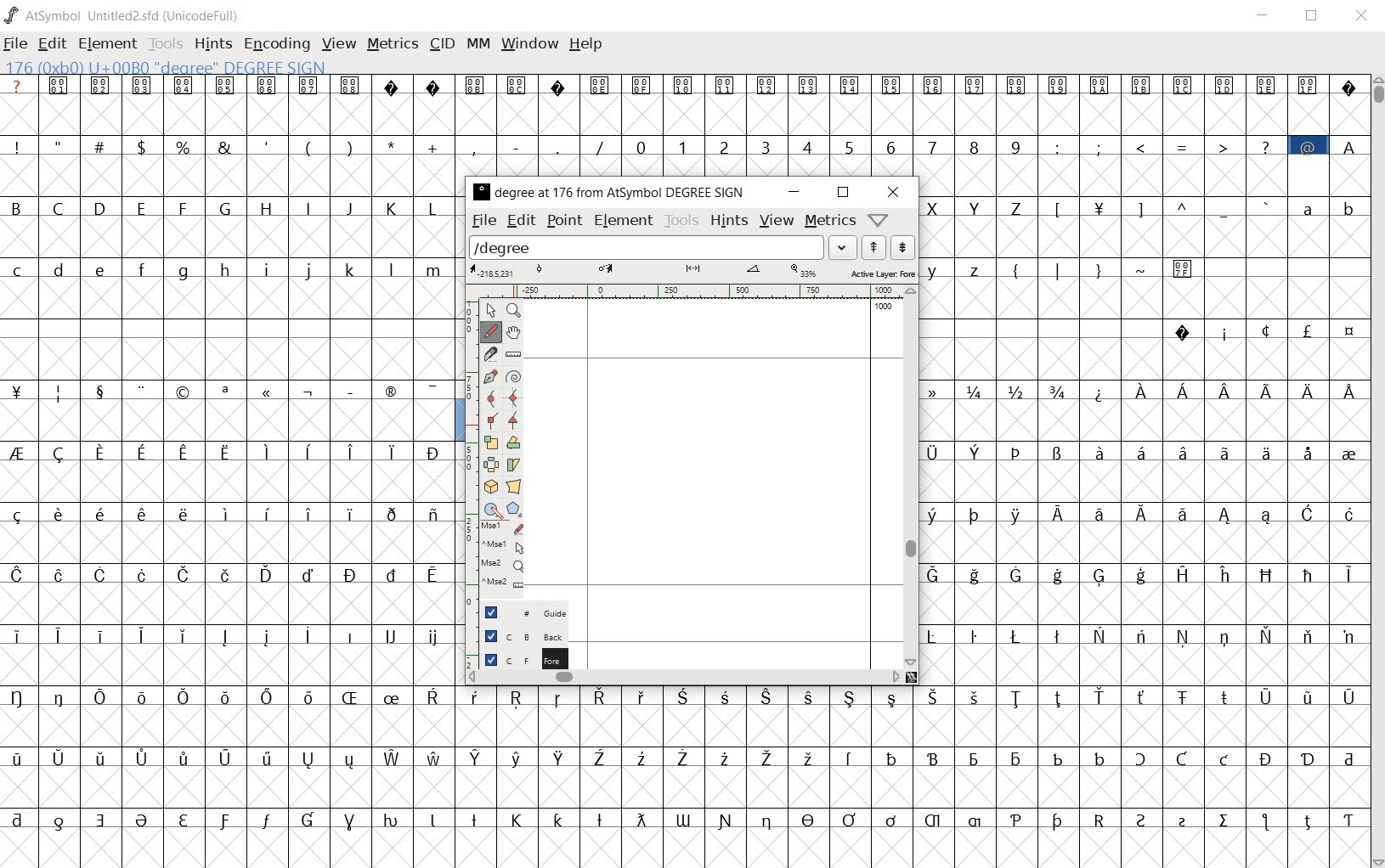  Describe the element at coordinates (226, 479) in the screenshot. I see `empty glyph slots` at that location.